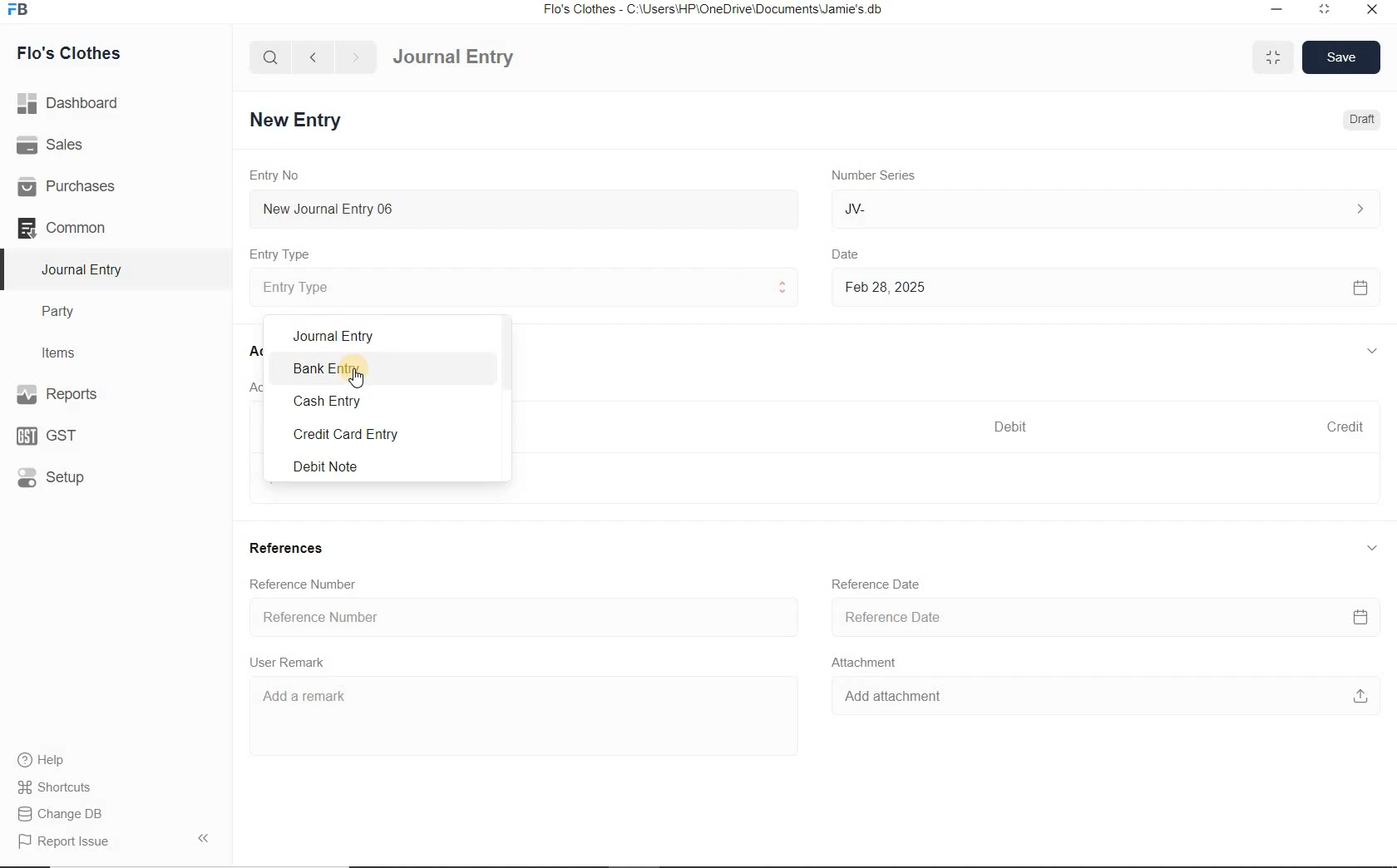 Image resolution: width=1397 pixels, height=868 pixels. Describe the element at coordinates (483, 55) in the screenshot. I see `Journal Entry` at that location.